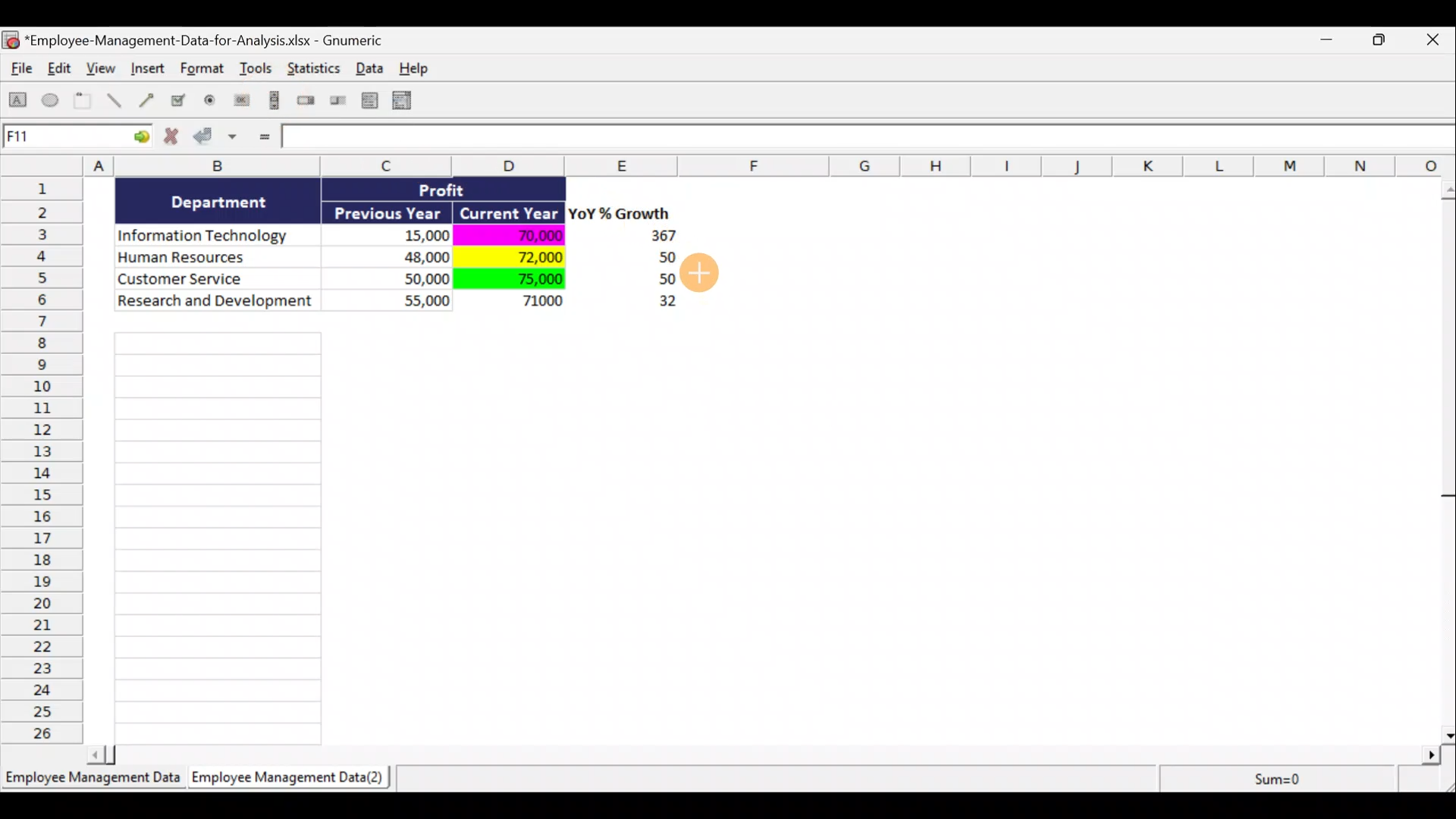 Image resolution: width=1456 pixels, height=819 pixels. I want to click on Columns, so click(733, 165).